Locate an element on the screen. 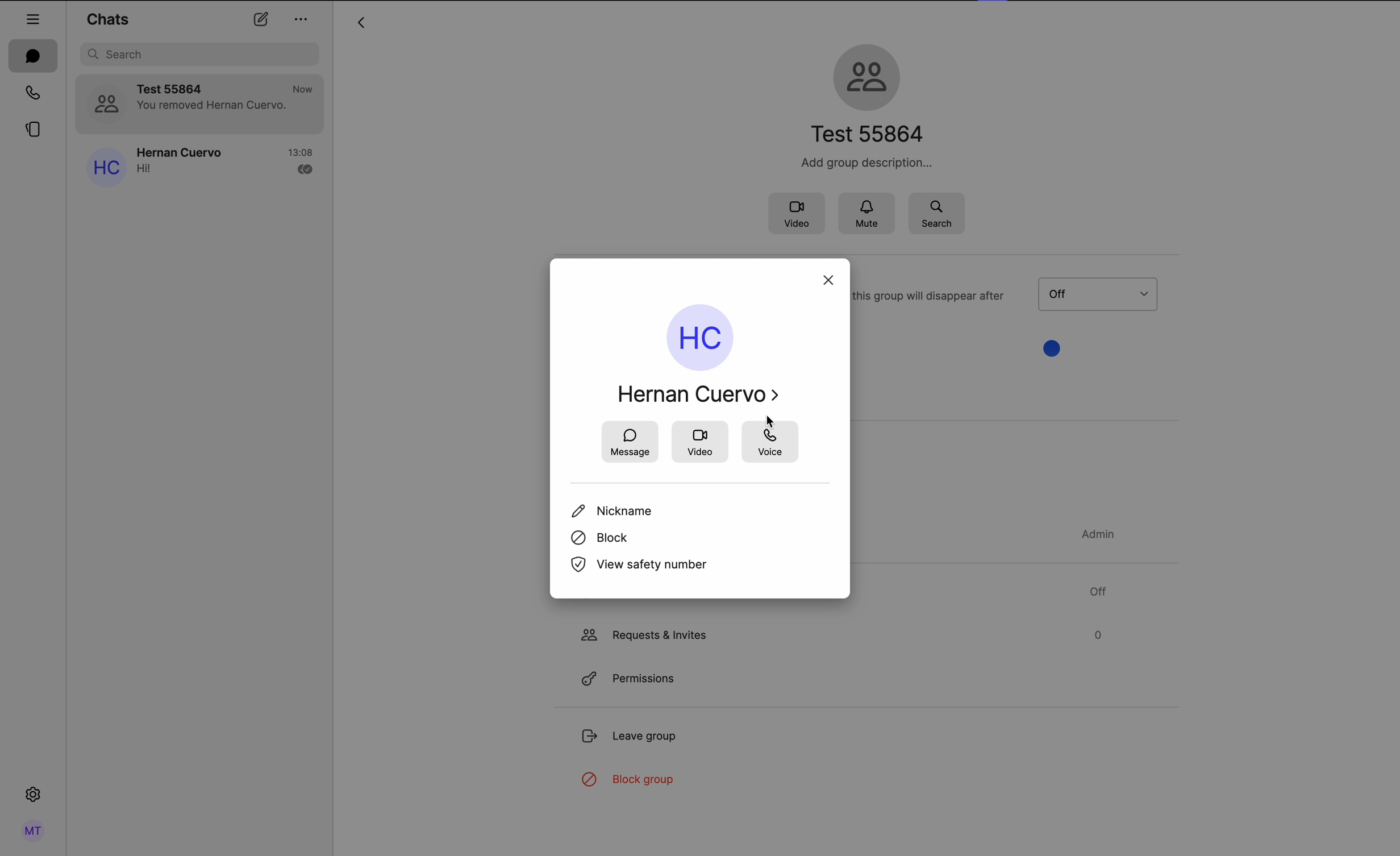  video button is located at coordinates (699, 443).